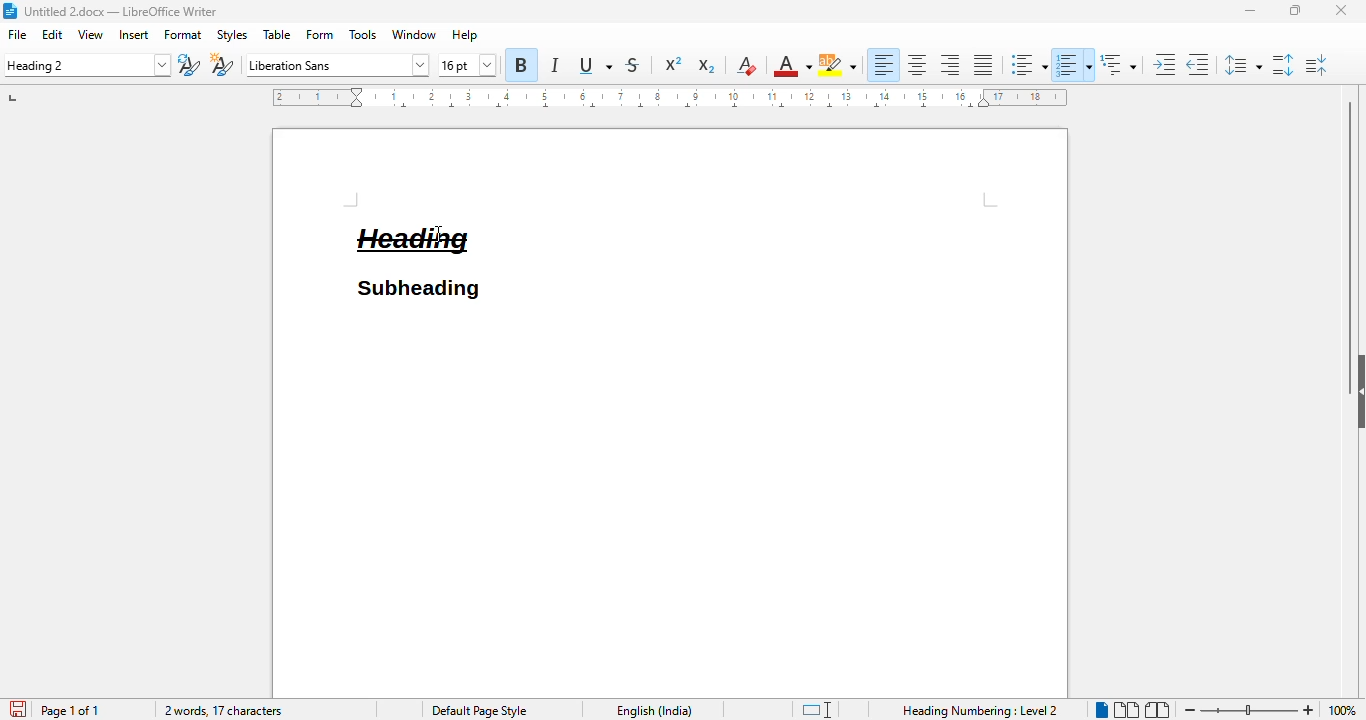  I want to click on Document, so click(416, 175).